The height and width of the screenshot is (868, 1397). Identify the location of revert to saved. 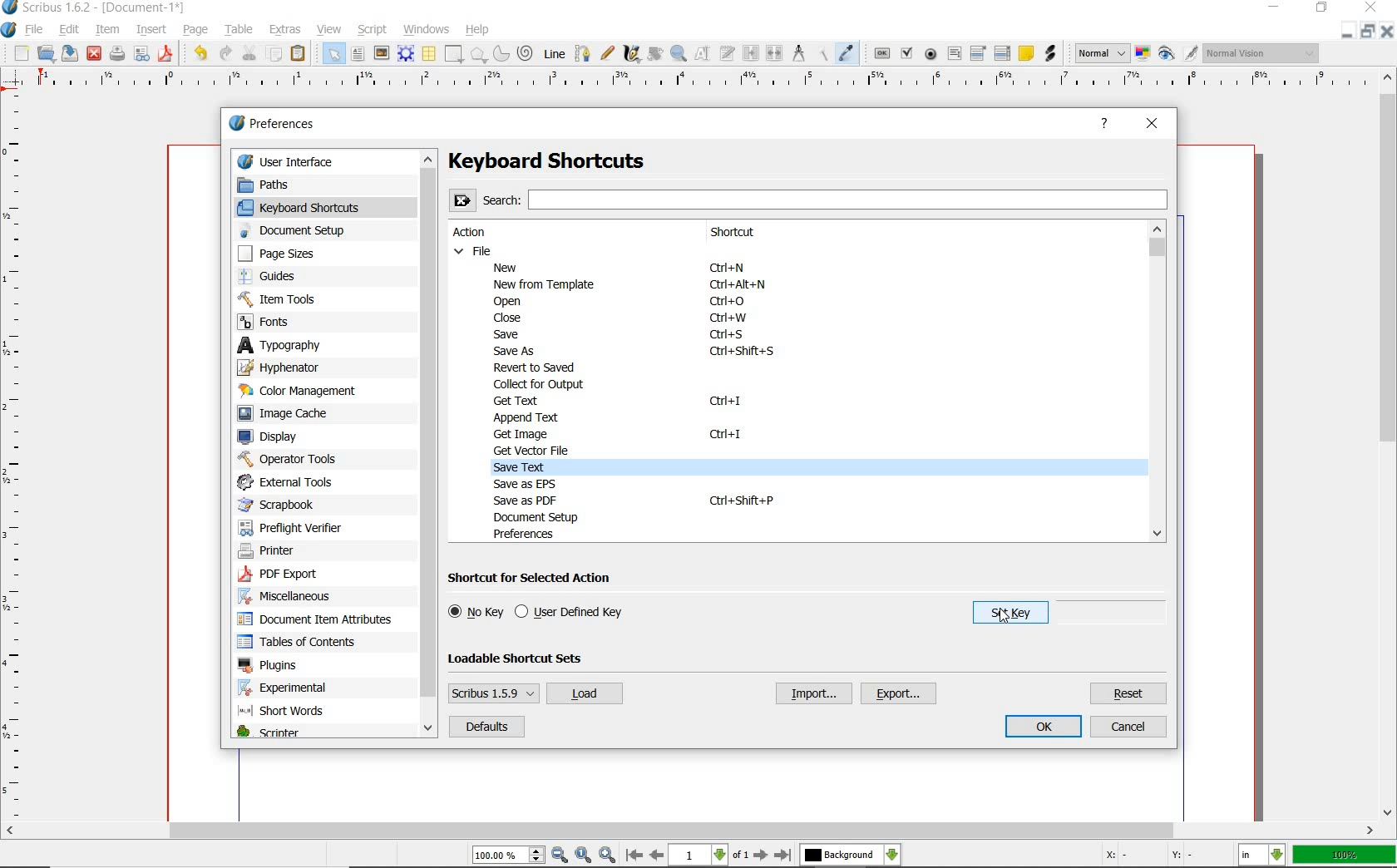
(538, 368).